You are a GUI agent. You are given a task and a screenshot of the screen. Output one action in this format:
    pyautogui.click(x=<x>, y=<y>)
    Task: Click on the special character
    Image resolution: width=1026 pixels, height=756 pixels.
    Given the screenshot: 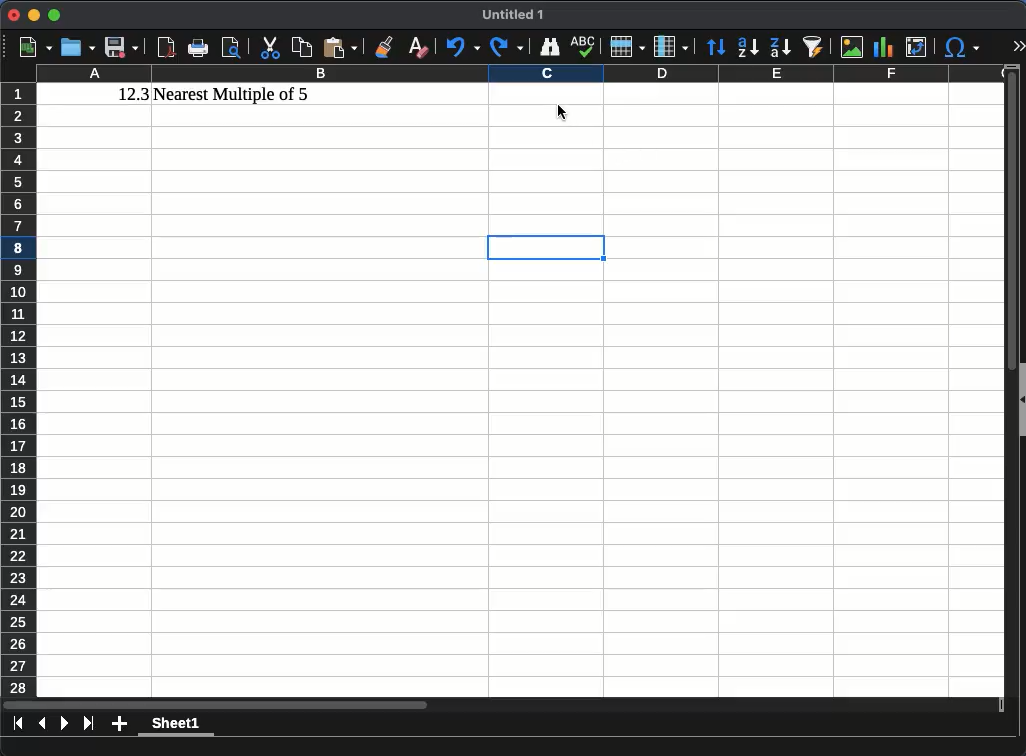 What is the action you would take?
    pyautogui.click(x=961, y=47)
    